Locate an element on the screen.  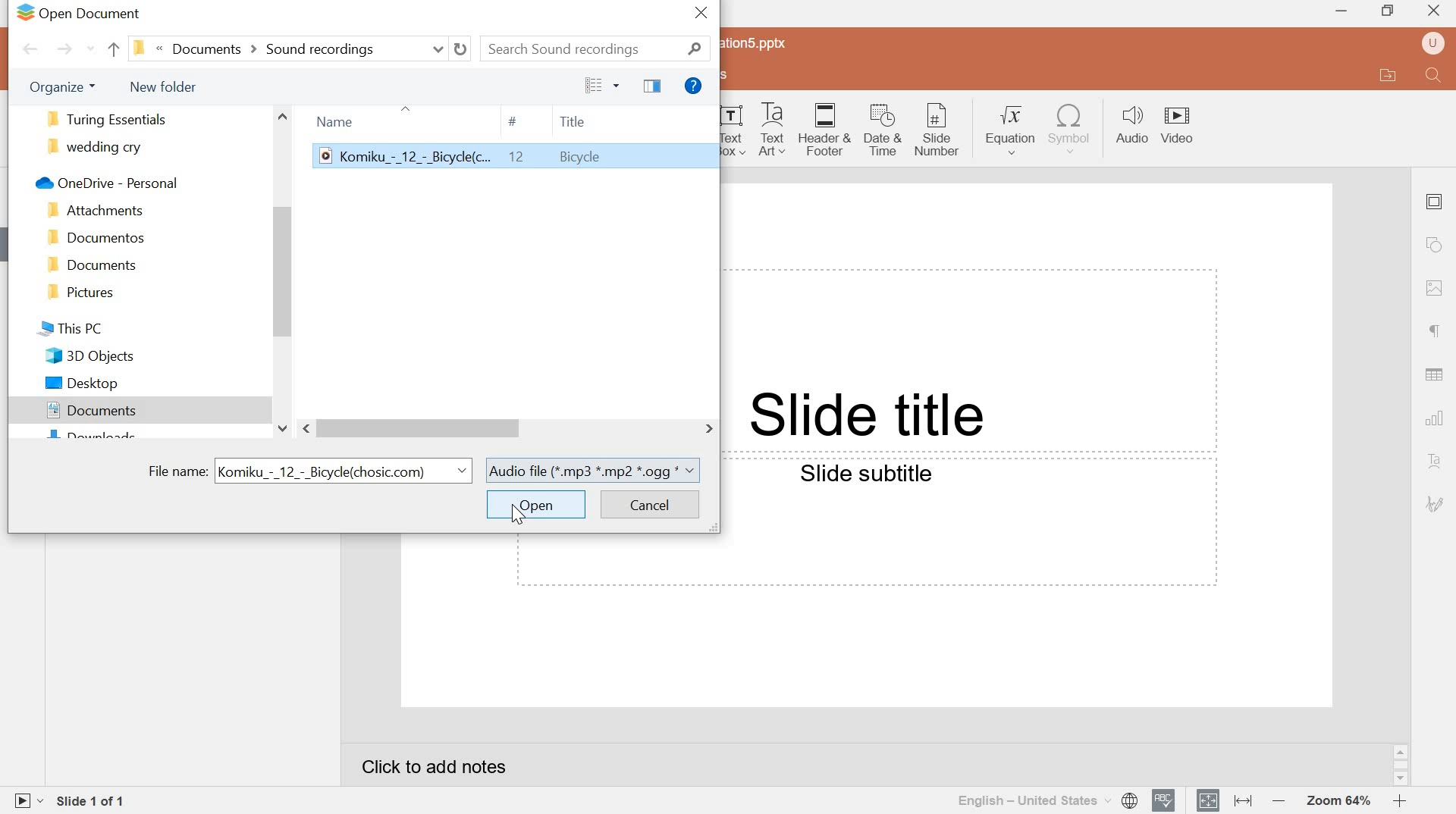
symbol is located at coordinates (1069, 129).